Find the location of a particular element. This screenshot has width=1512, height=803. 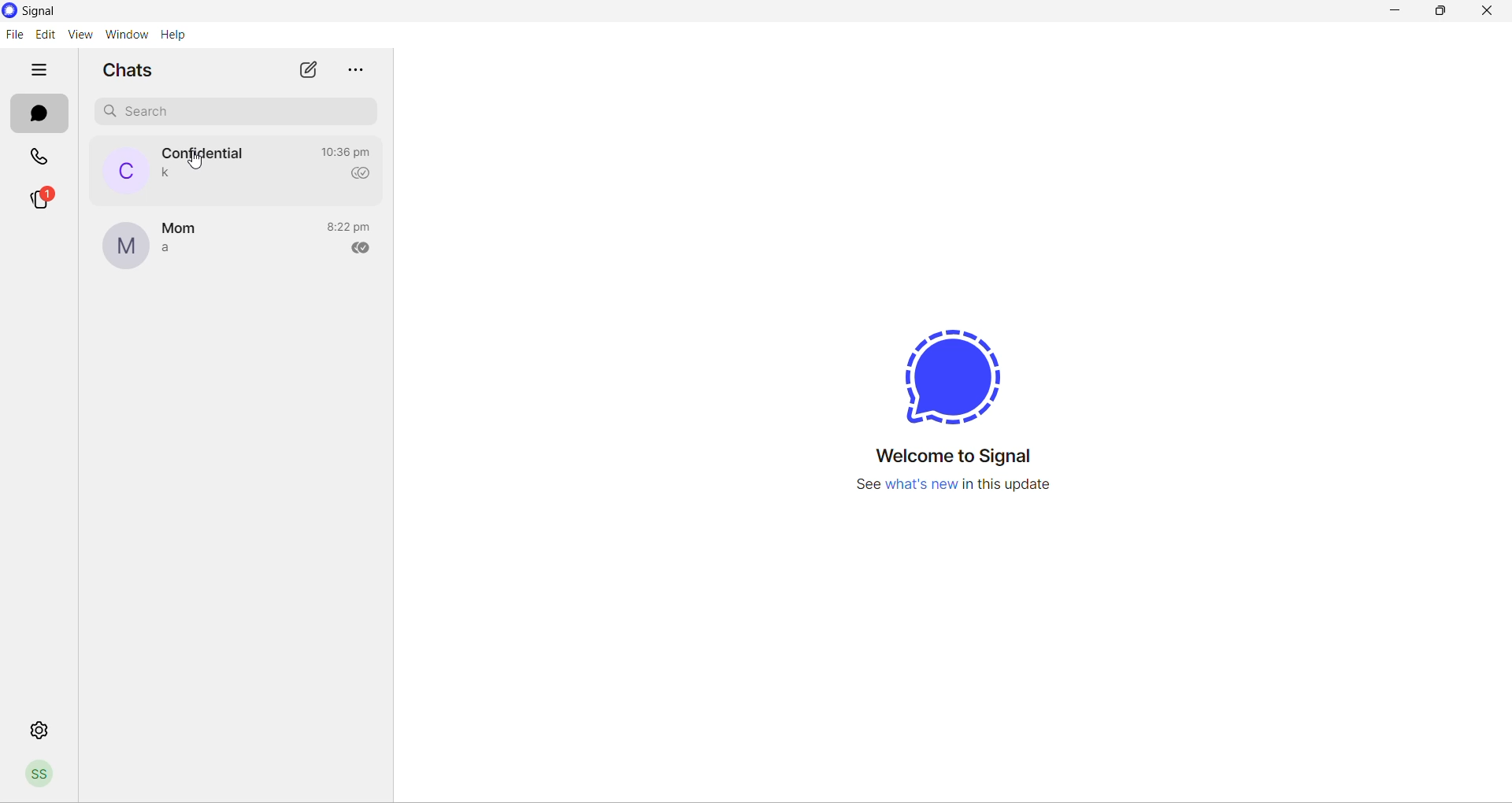

cursor is located at coordinates (197, 164).